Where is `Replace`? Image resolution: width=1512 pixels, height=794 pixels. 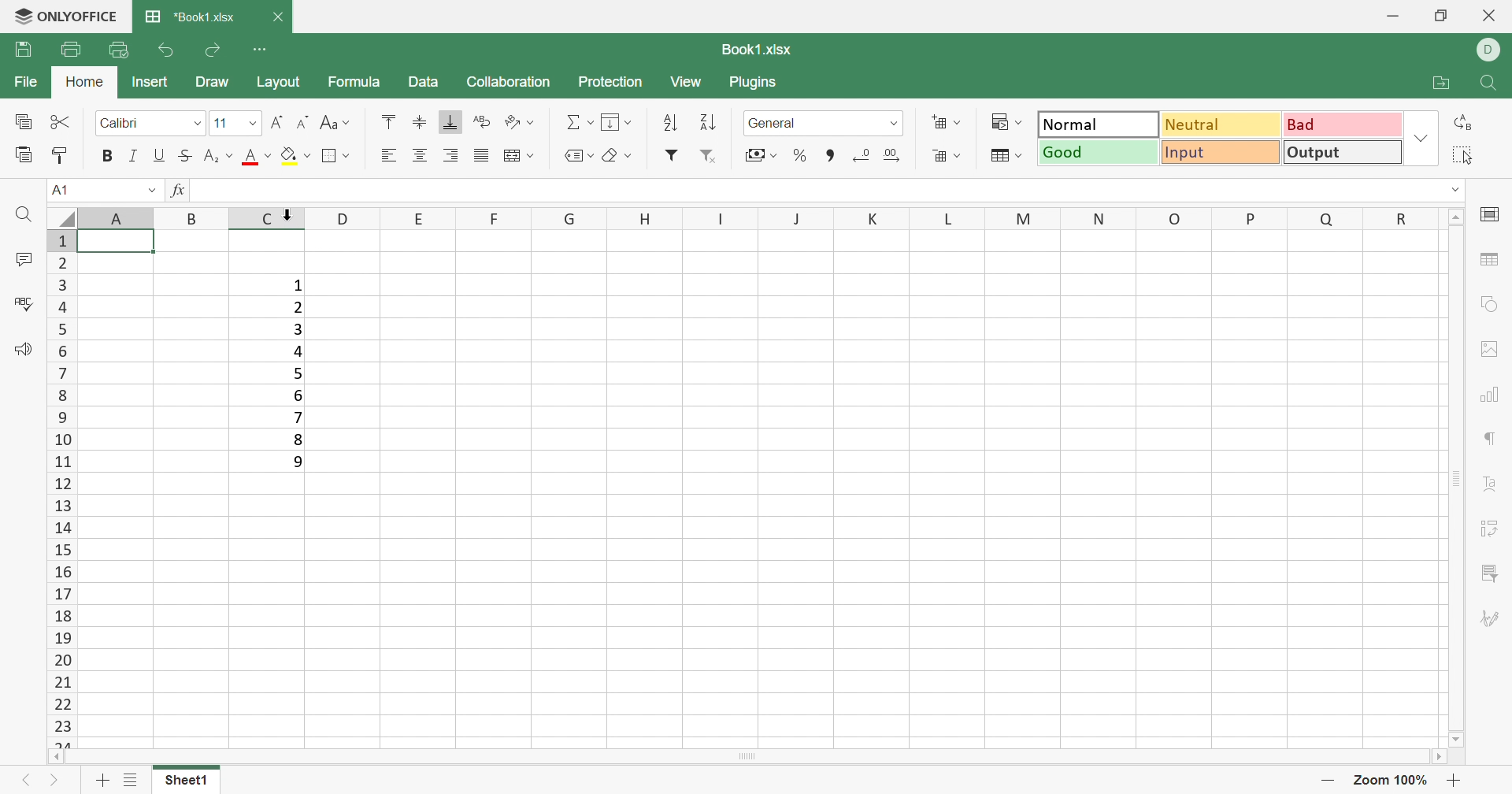 Replace is located at coordinates (1462, 124).